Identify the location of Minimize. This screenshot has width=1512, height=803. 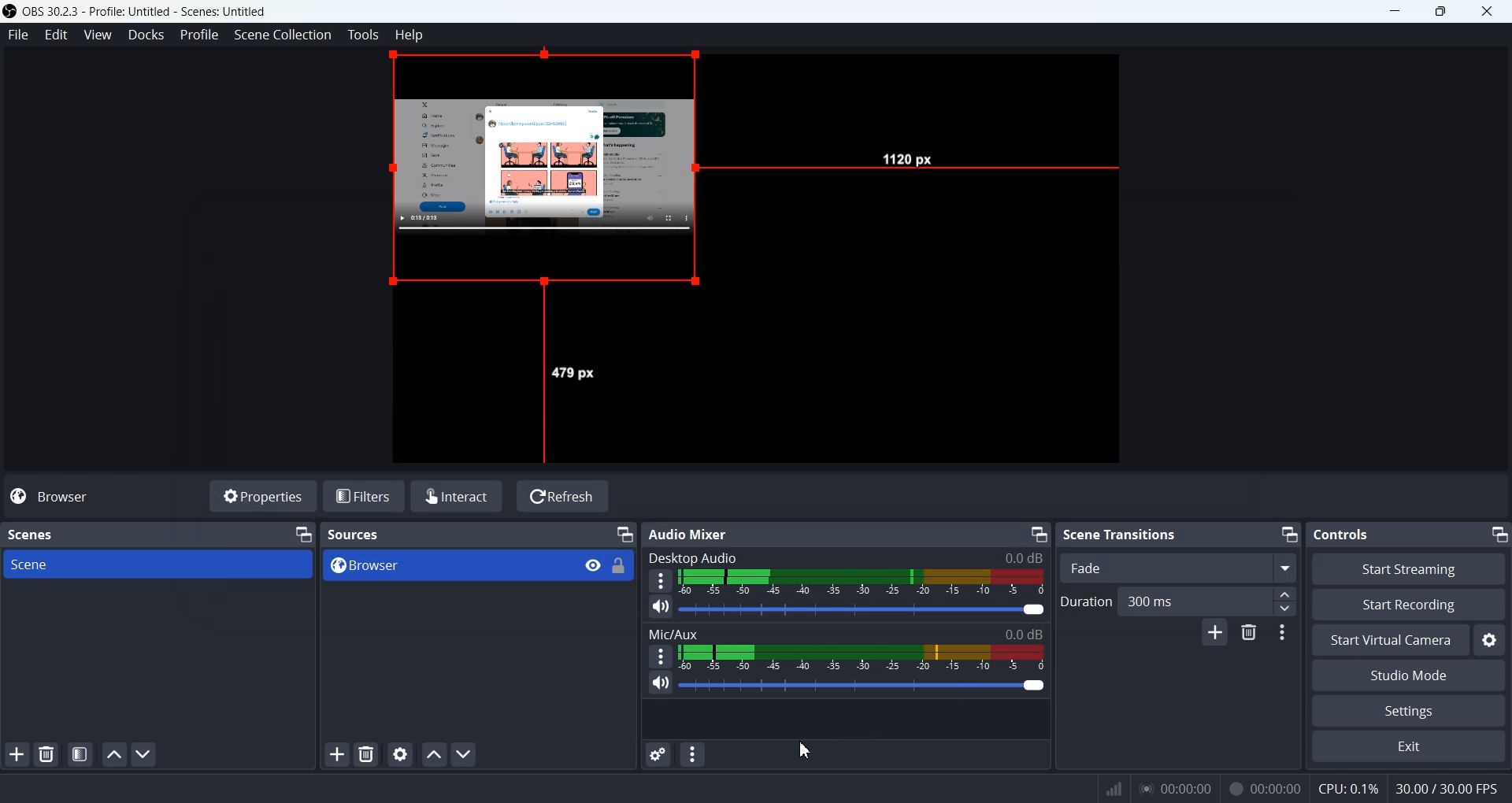
(1038, 535).